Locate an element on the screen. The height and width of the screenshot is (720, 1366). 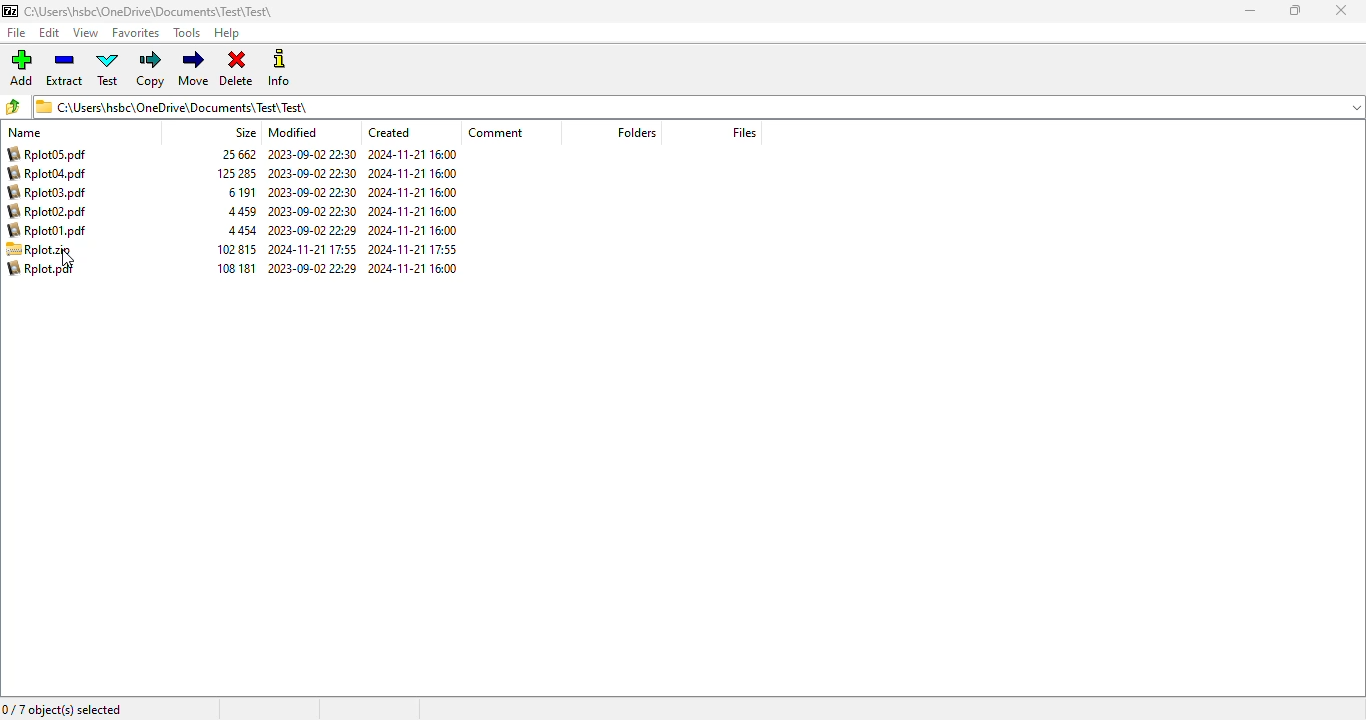
files is located at coordinates (744, 132).